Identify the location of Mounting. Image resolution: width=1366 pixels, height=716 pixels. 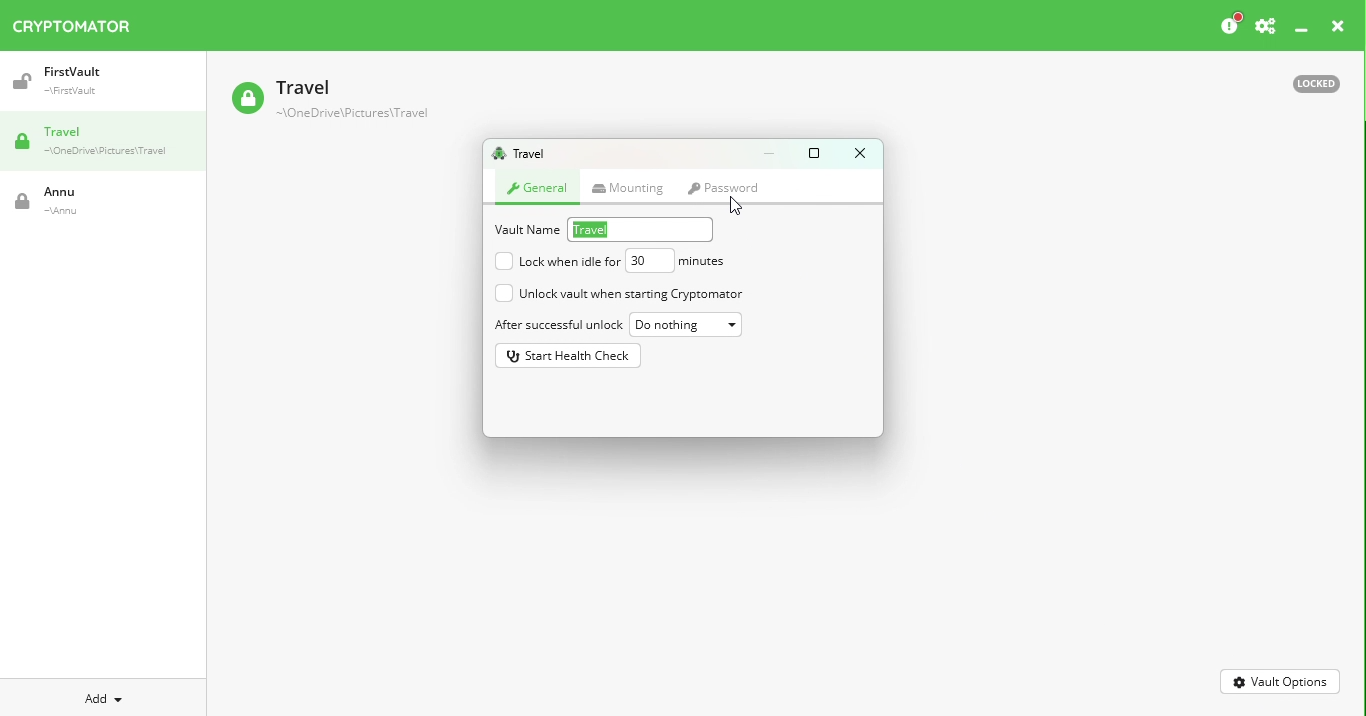
(632, 188).